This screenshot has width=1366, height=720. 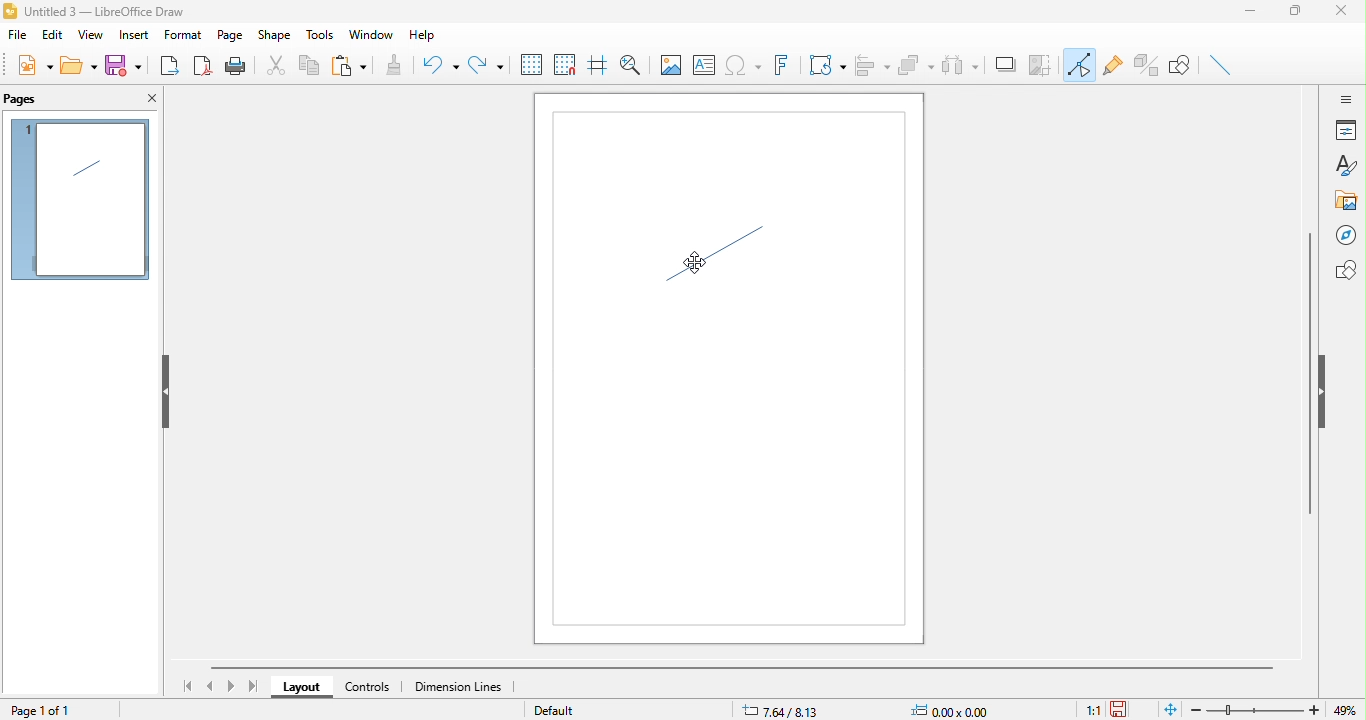 I want to click on dimension line, so click(x=468, y=687).